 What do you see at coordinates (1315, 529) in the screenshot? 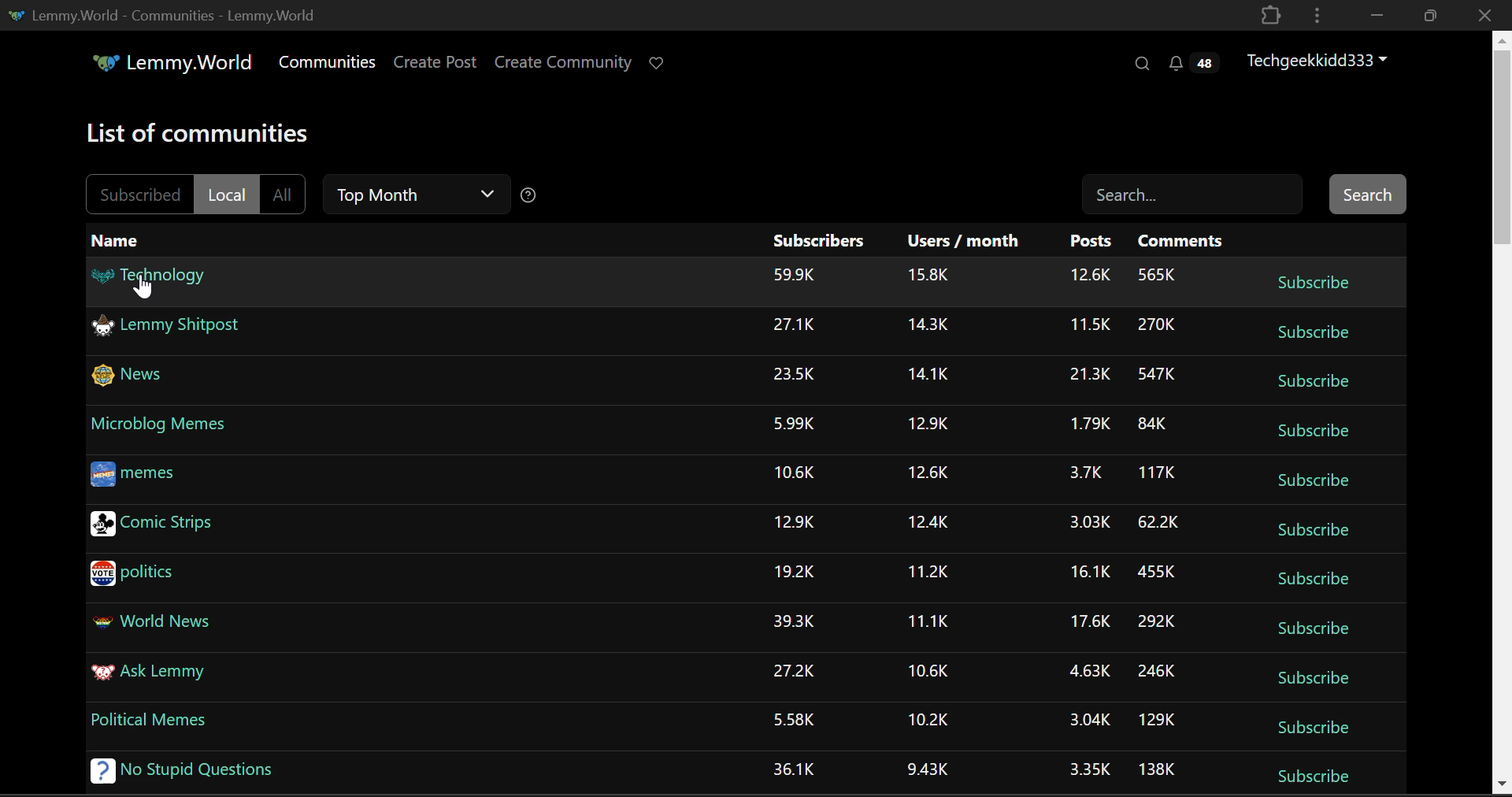
I see `Subscribe` at bounding box center [1315, 529].